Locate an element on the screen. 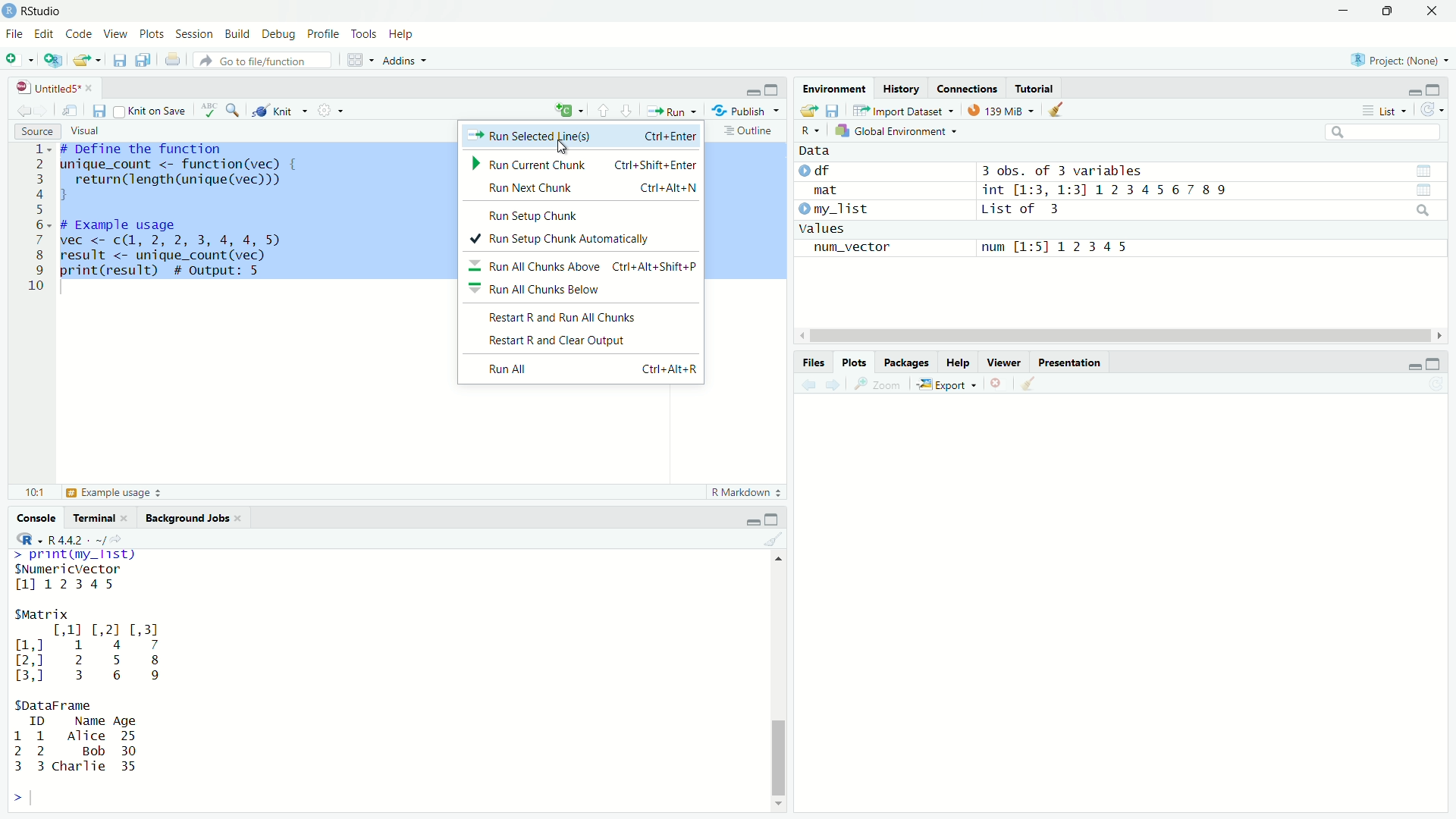 Image resolution: width=1456 pixels, height=819 pixels. Console is located at coordinates (38, 517).